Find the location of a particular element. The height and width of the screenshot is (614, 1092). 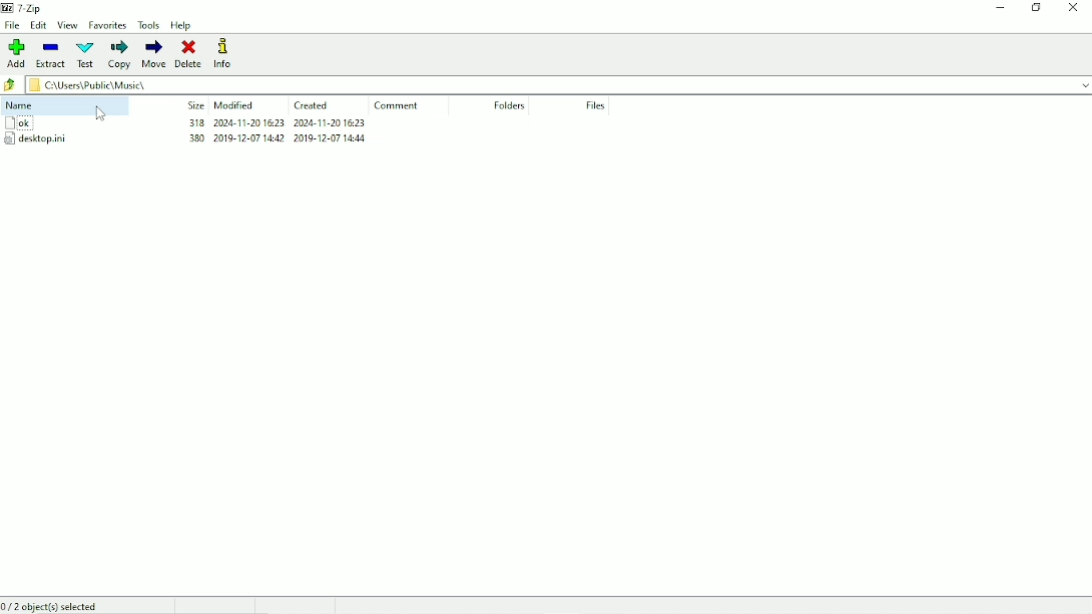

Tools is located at coordinates (149, 25).